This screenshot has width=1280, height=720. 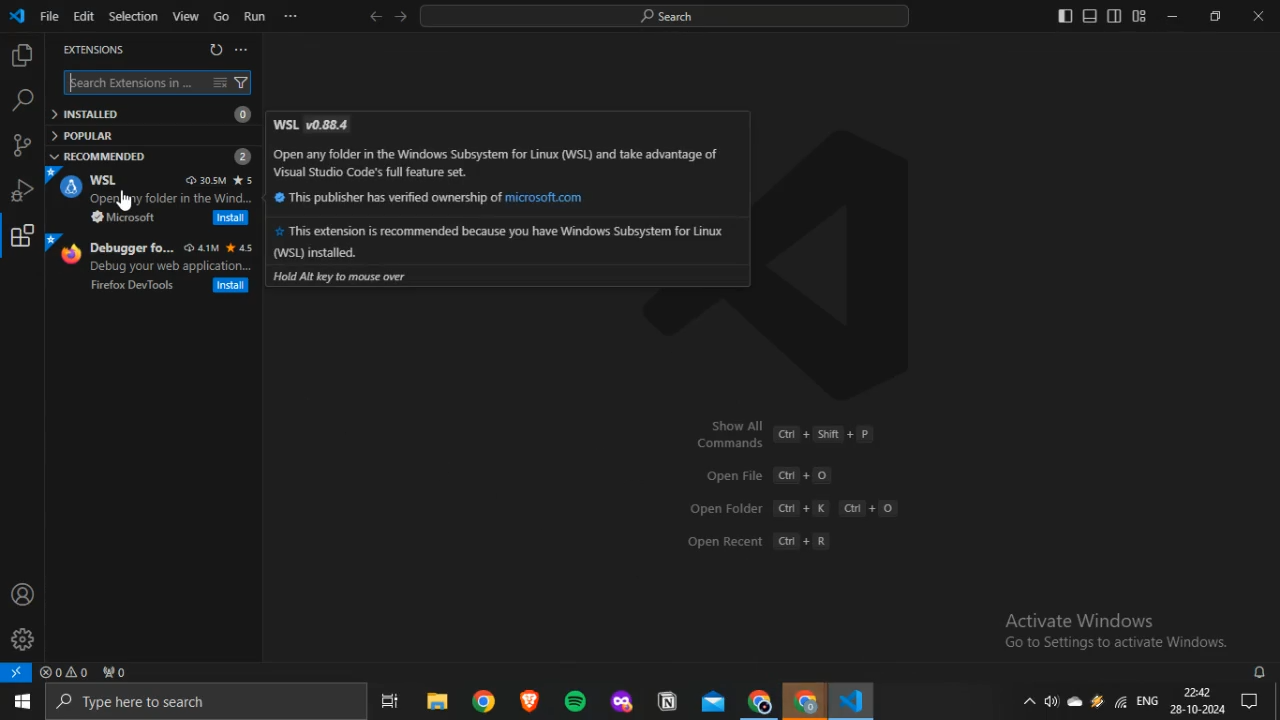 I want to click on ENG, so click(x=1147, y=700).